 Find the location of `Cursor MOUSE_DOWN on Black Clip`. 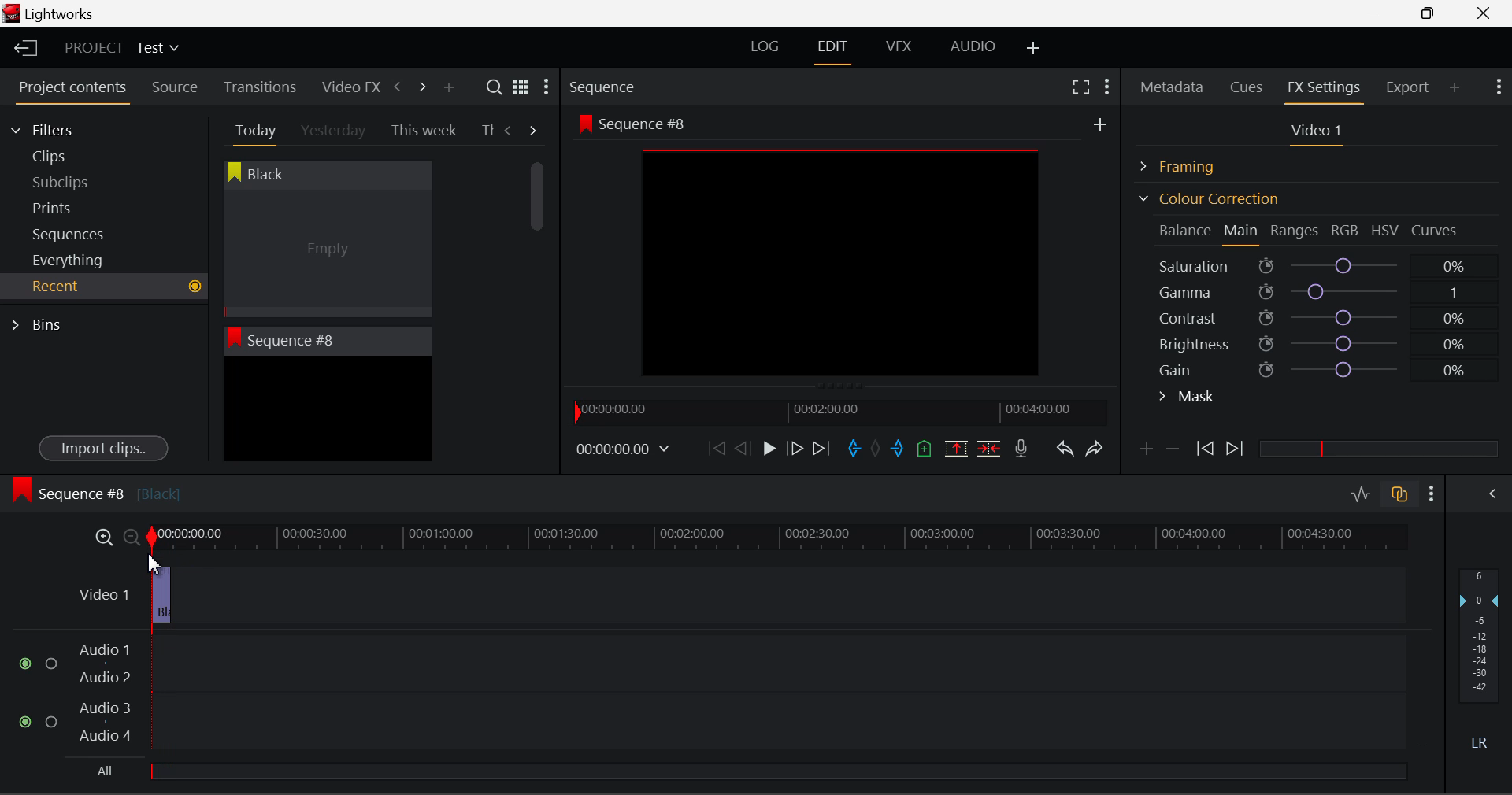

Cursor MOUSE_DOWN on Black Clip is located at coordinates (325, 253).